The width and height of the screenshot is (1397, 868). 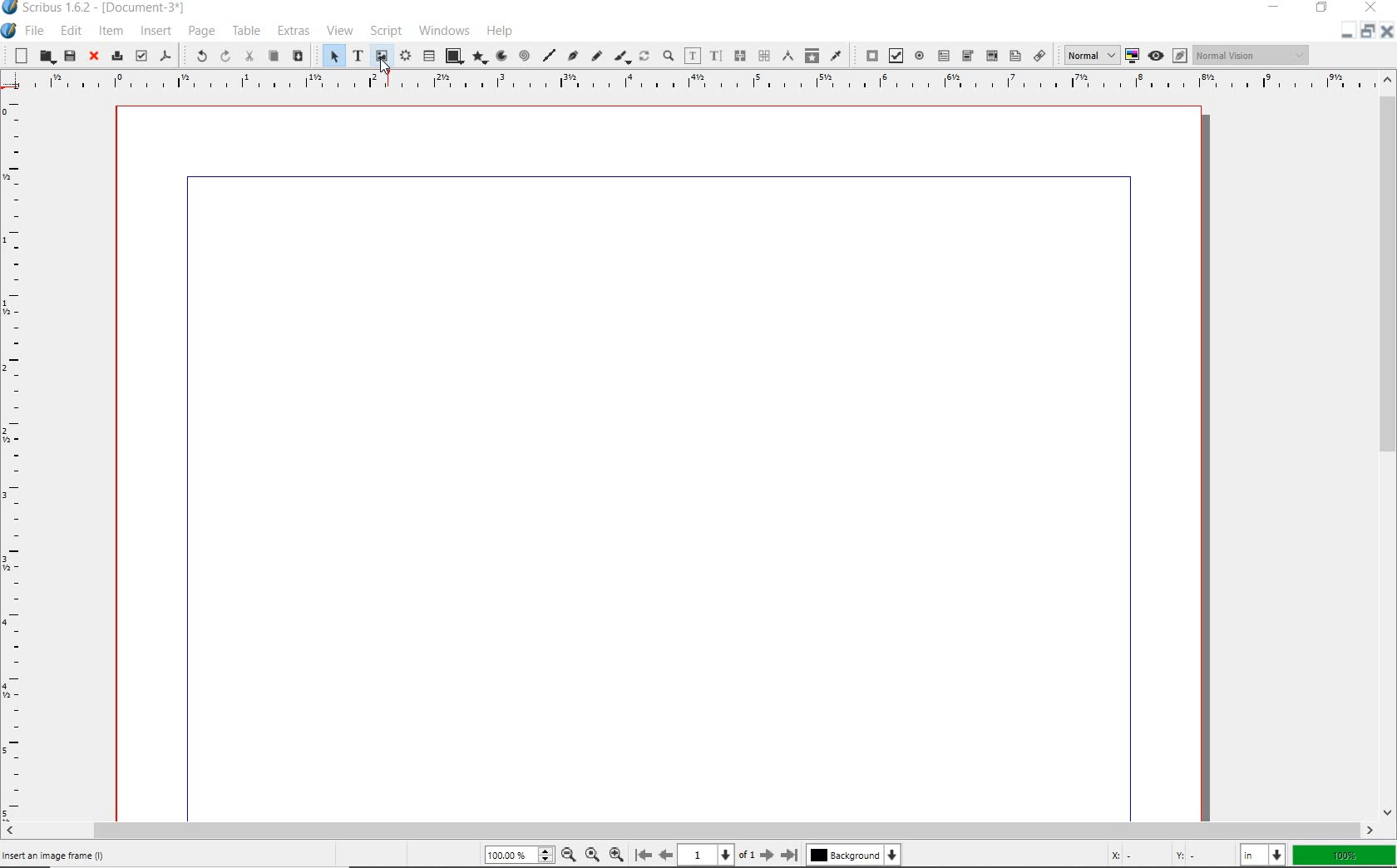 I want to click on minimize, so click(x=1345, y=36).